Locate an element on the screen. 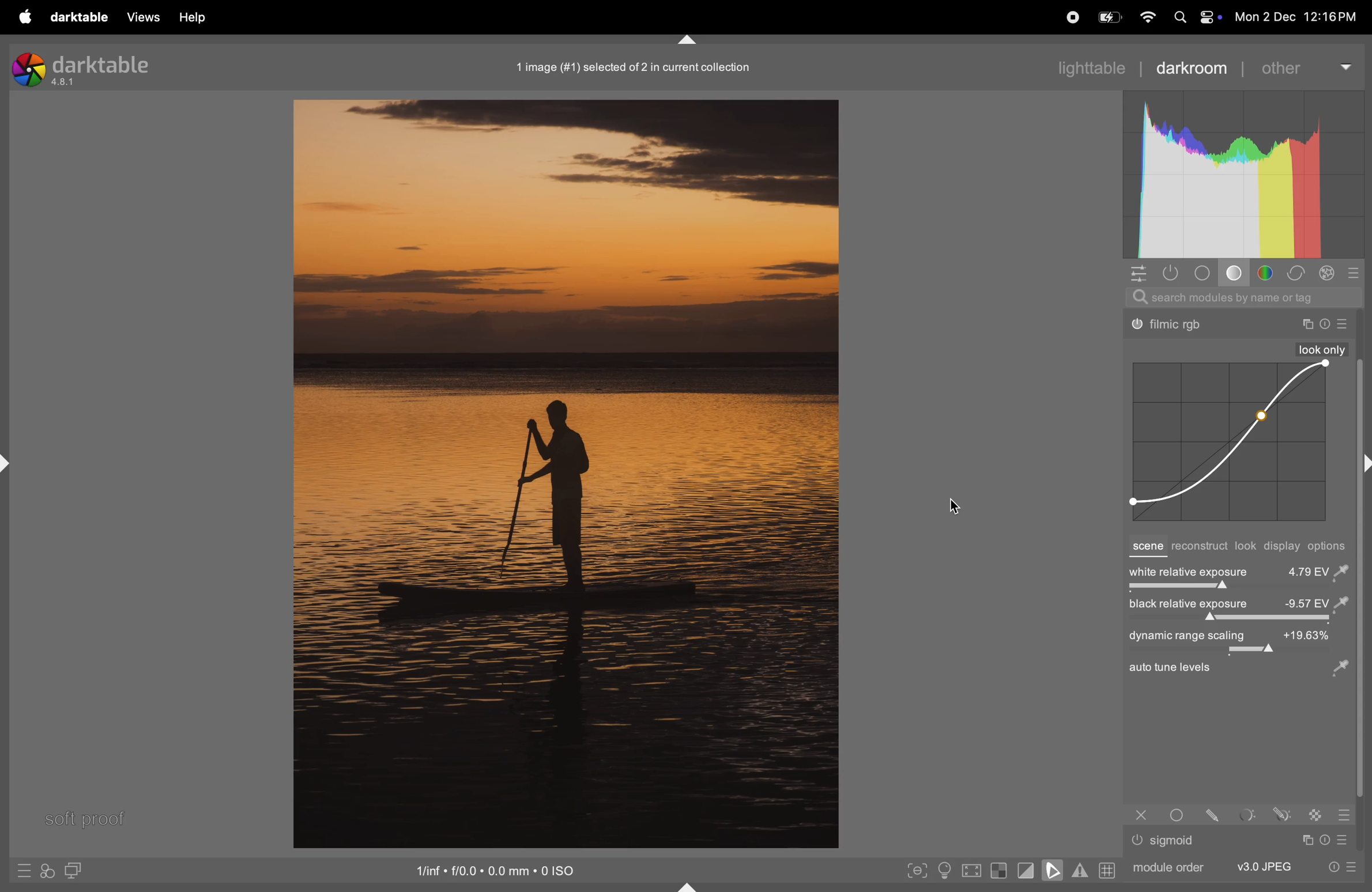  base is located at coordinates (1237, 275).